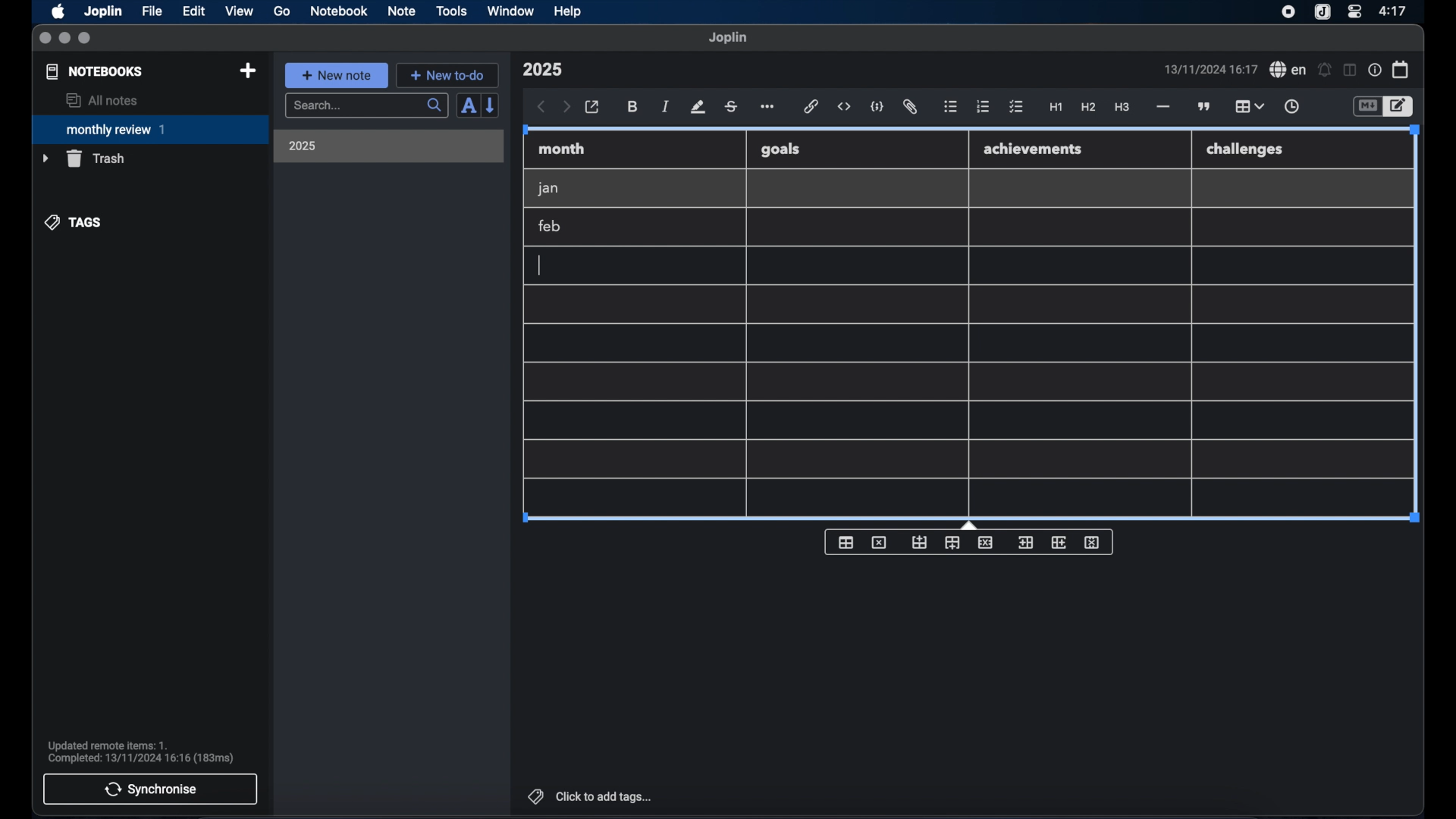 The height and width of the screenshot is (819, 1456). I want to click on insert row after, so click(952, 543).